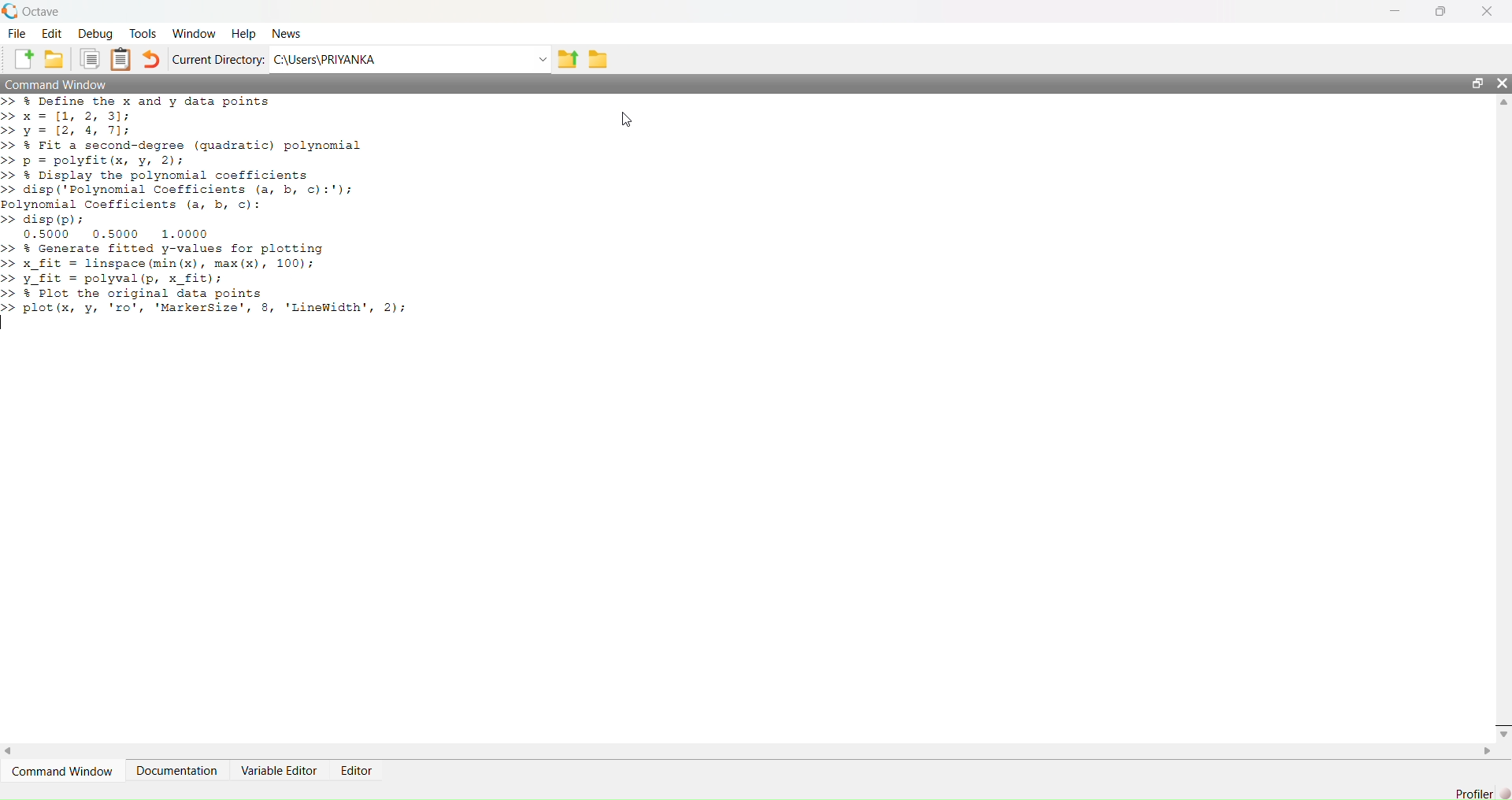 The width and height of the screenshot is (1512, 800). What do you see at coordinates (1488, 753) in the screenshot?
I see `Right` at bounding box center [1488, 753].